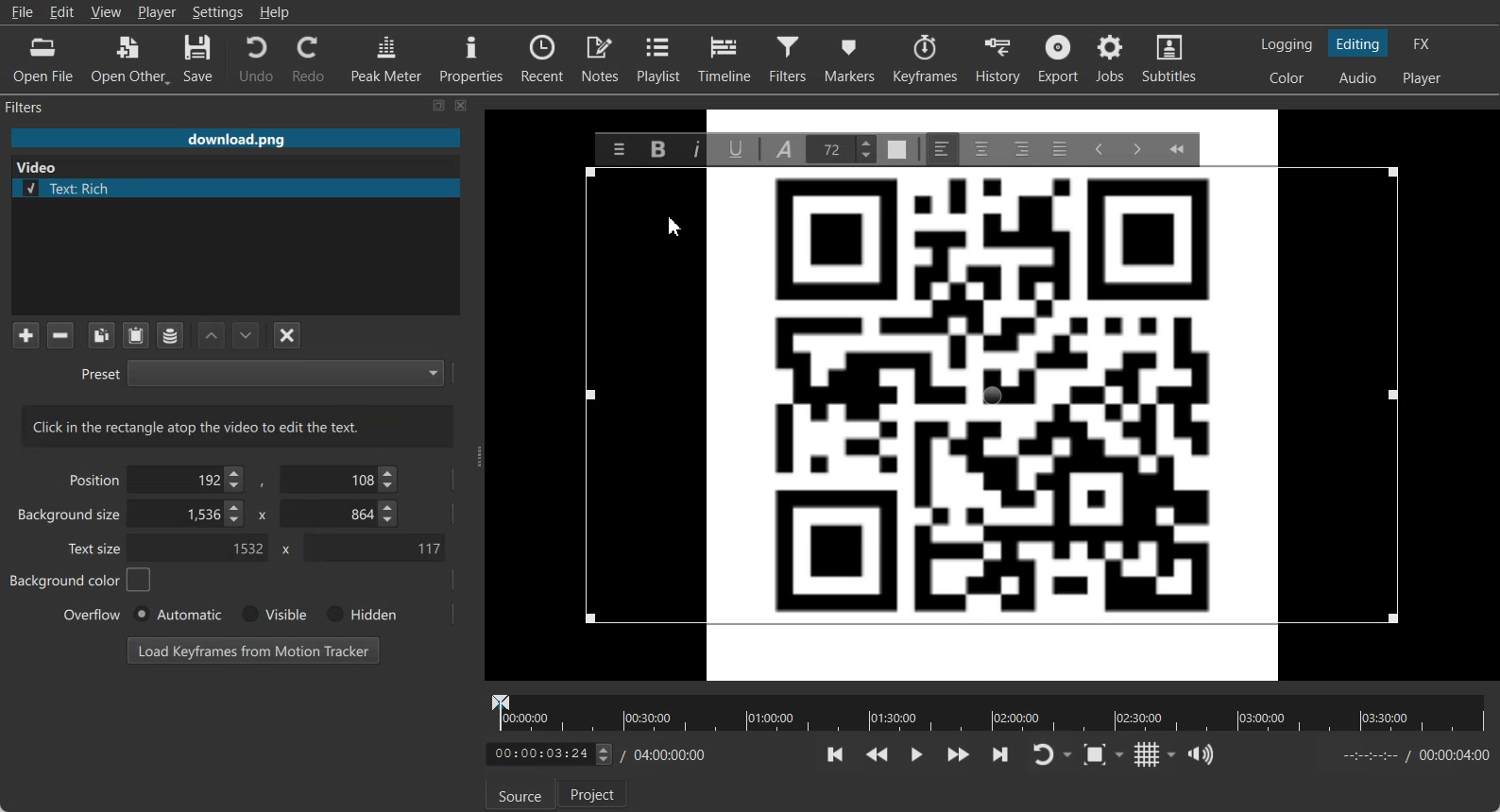 Image resolution: width=1500 pixels, height=812 pixels. What do you see at coordinates (238, 426) in the screenshot?
I see `Text` at bounding box center [238, 426].